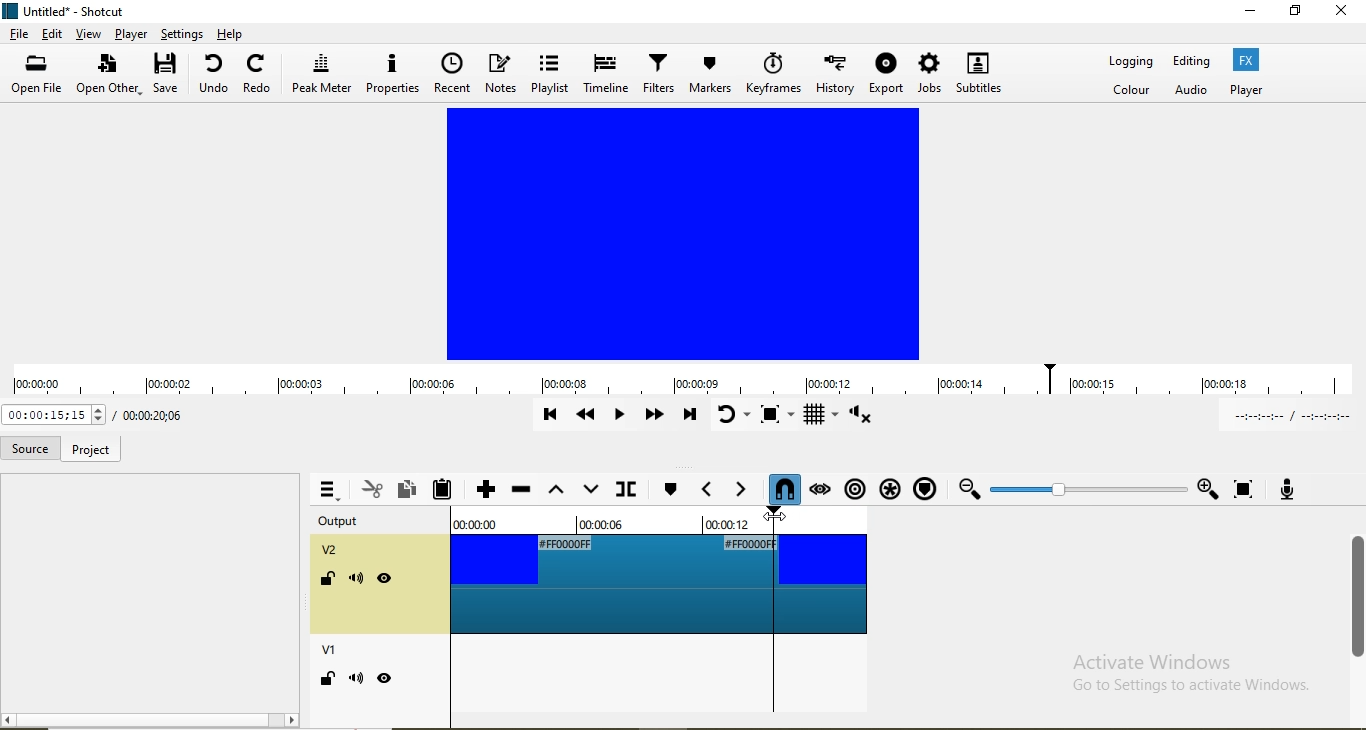 The image size is (1366, 730). Describe the element at coordinates (1287, 417) in the screenshot. I see `In point` at that location.